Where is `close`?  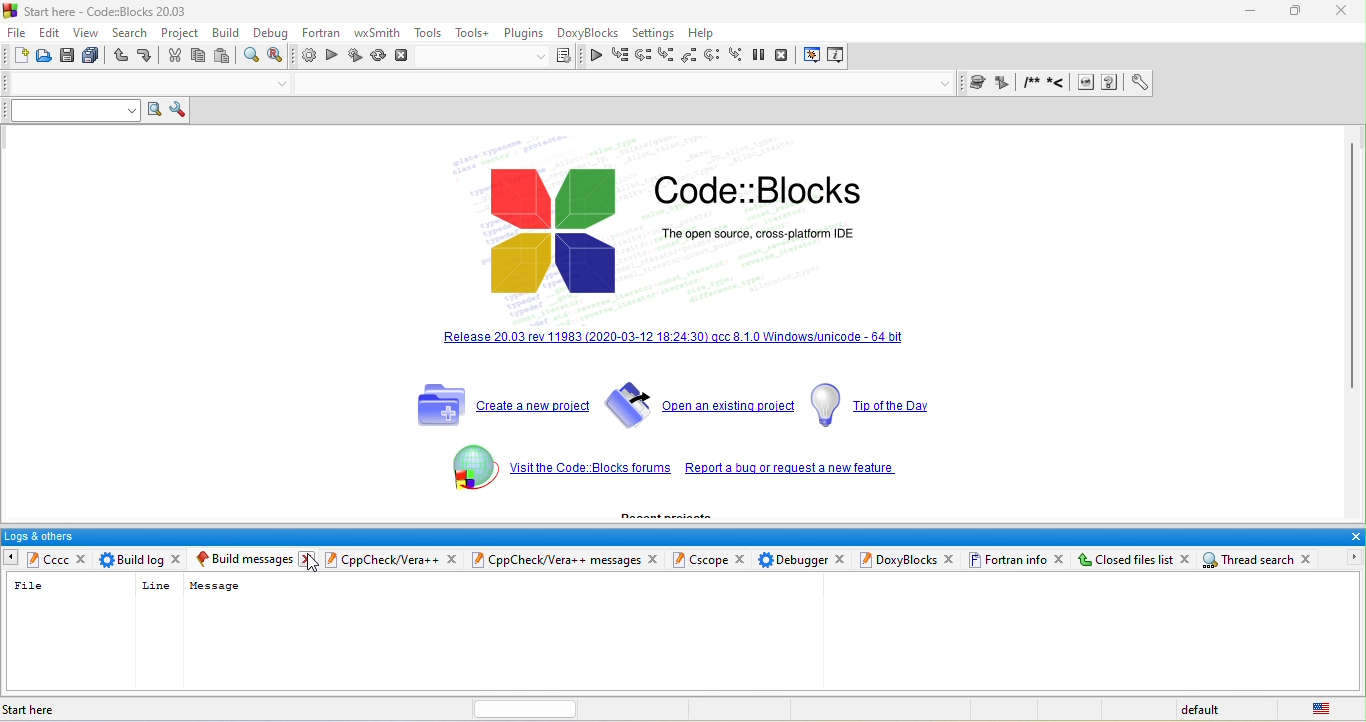
close is located at coordinates (1311, 560).